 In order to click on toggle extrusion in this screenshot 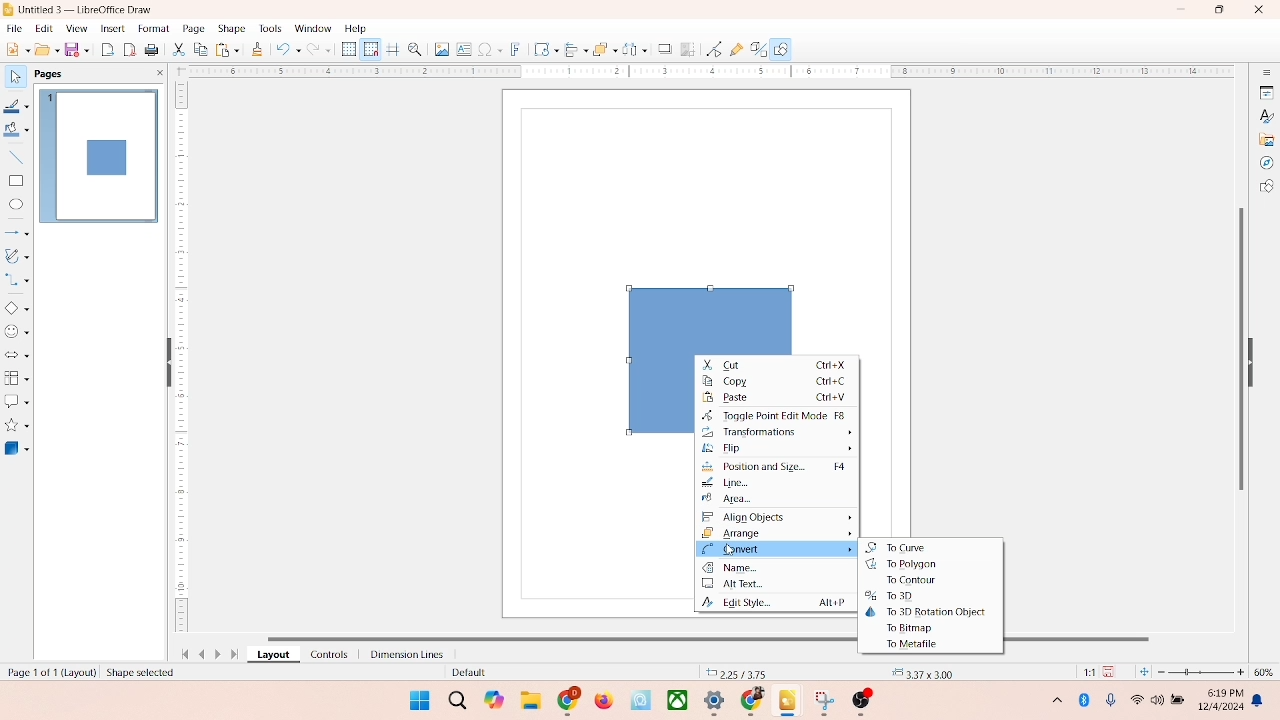, I will do `click(753, 50)`.